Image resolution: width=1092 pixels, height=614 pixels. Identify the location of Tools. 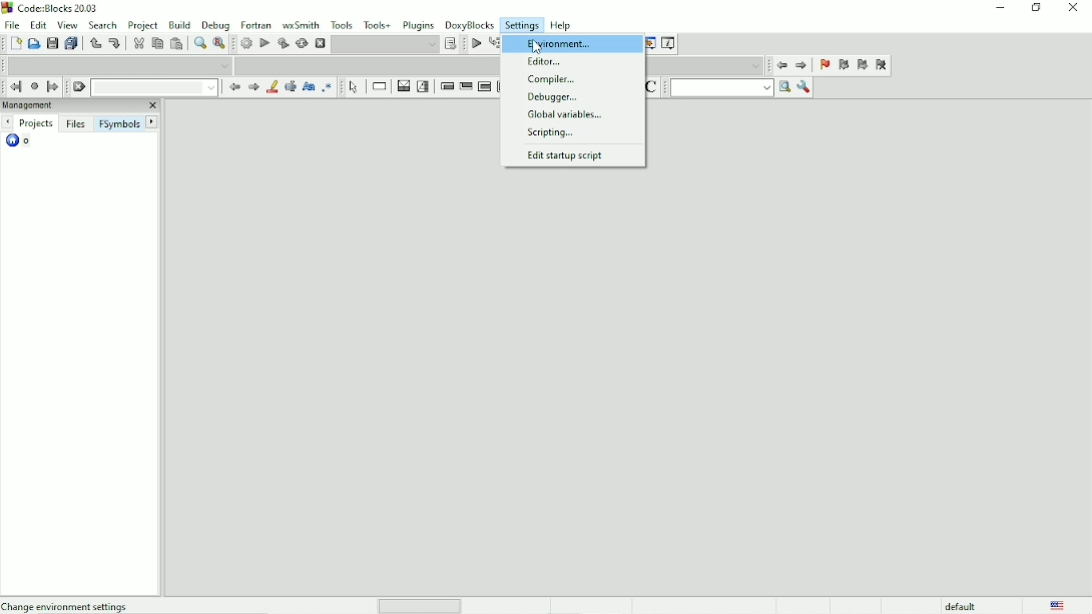
(342, 25).